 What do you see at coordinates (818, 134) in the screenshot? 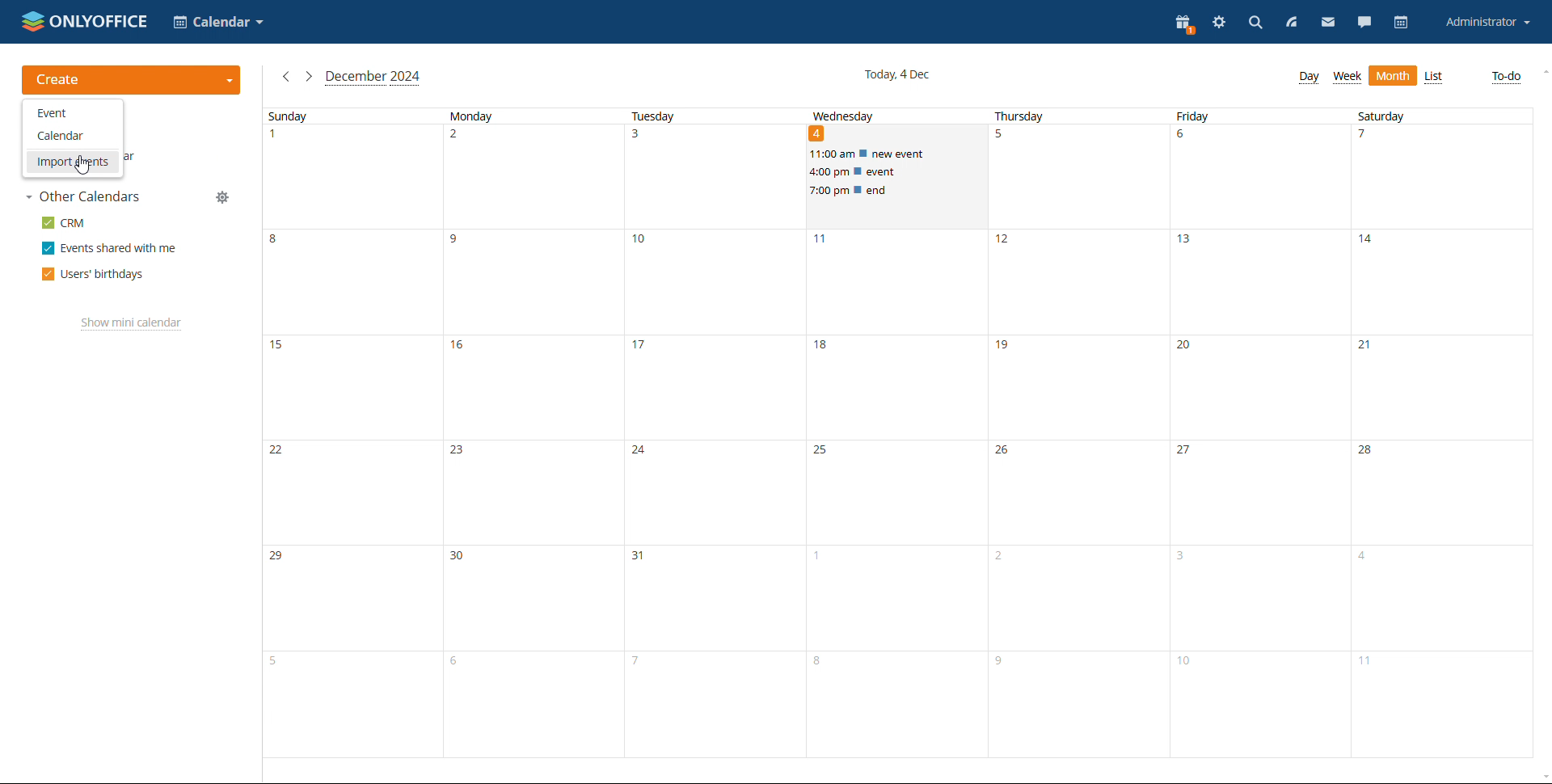
I see `date` at bounding box center [818, 134].